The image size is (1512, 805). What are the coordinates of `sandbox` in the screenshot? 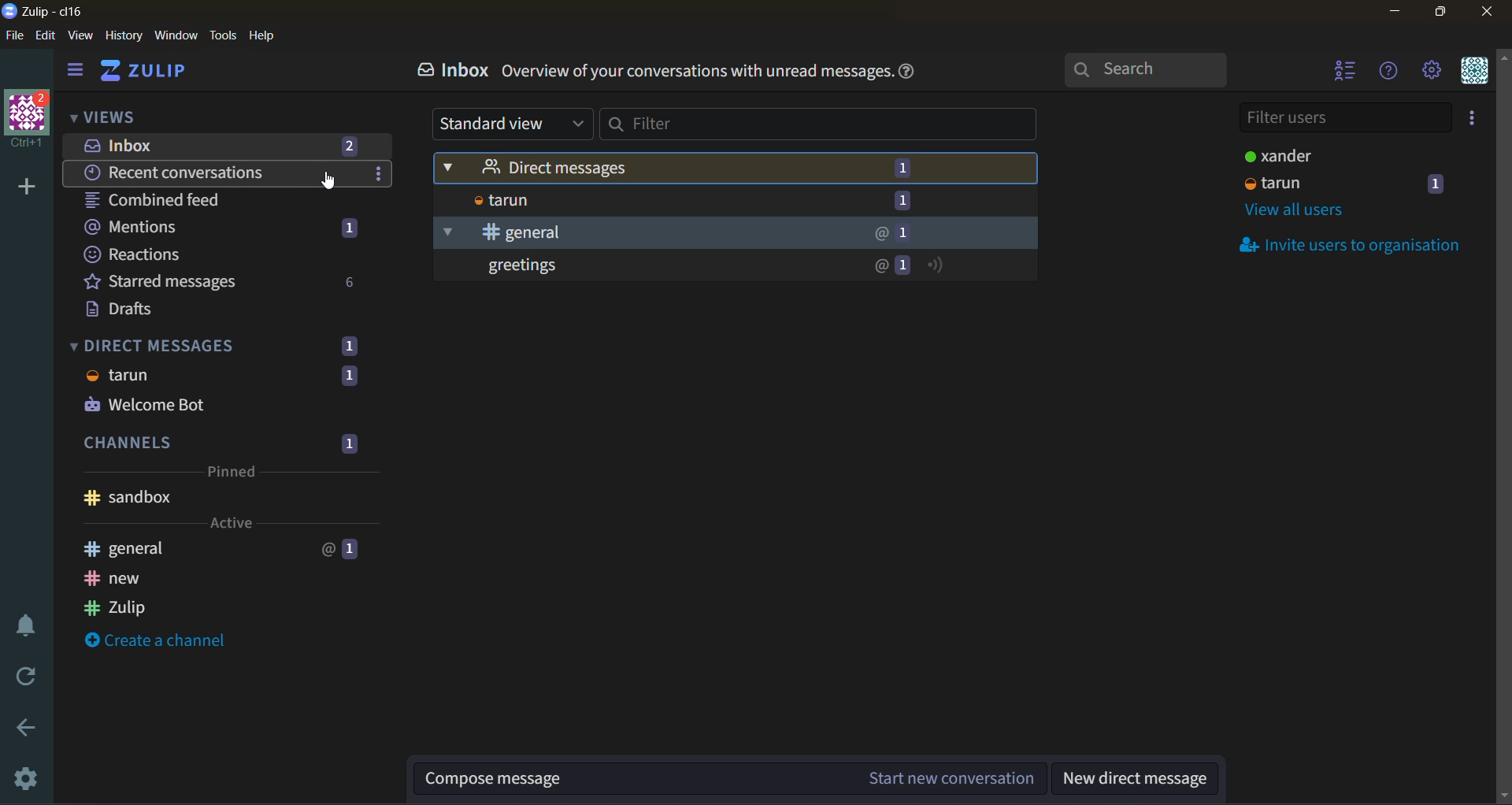 It's located at (222, 499).